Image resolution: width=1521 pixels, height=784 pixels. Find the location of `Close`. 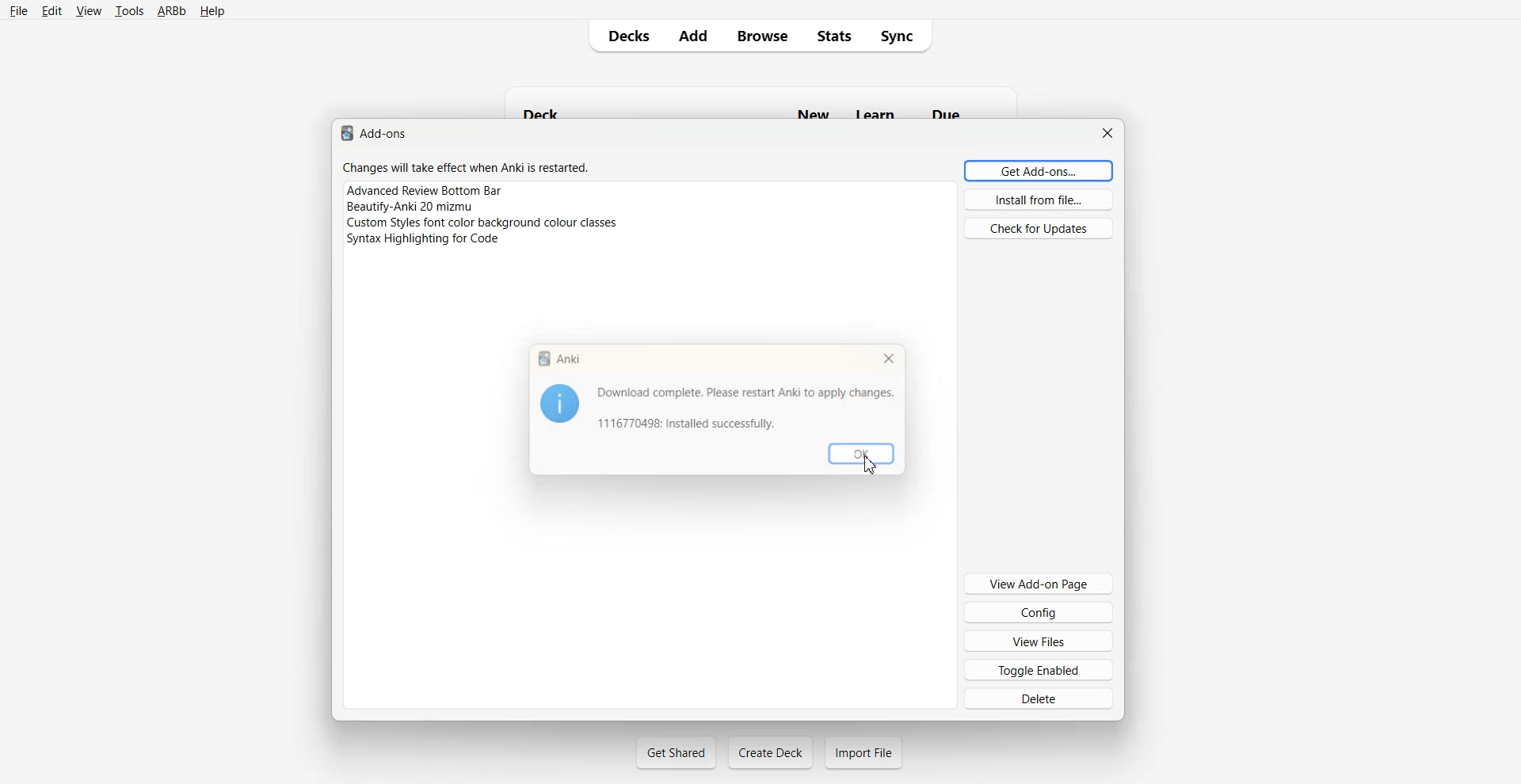

Close is located at coordinates (889, 357).